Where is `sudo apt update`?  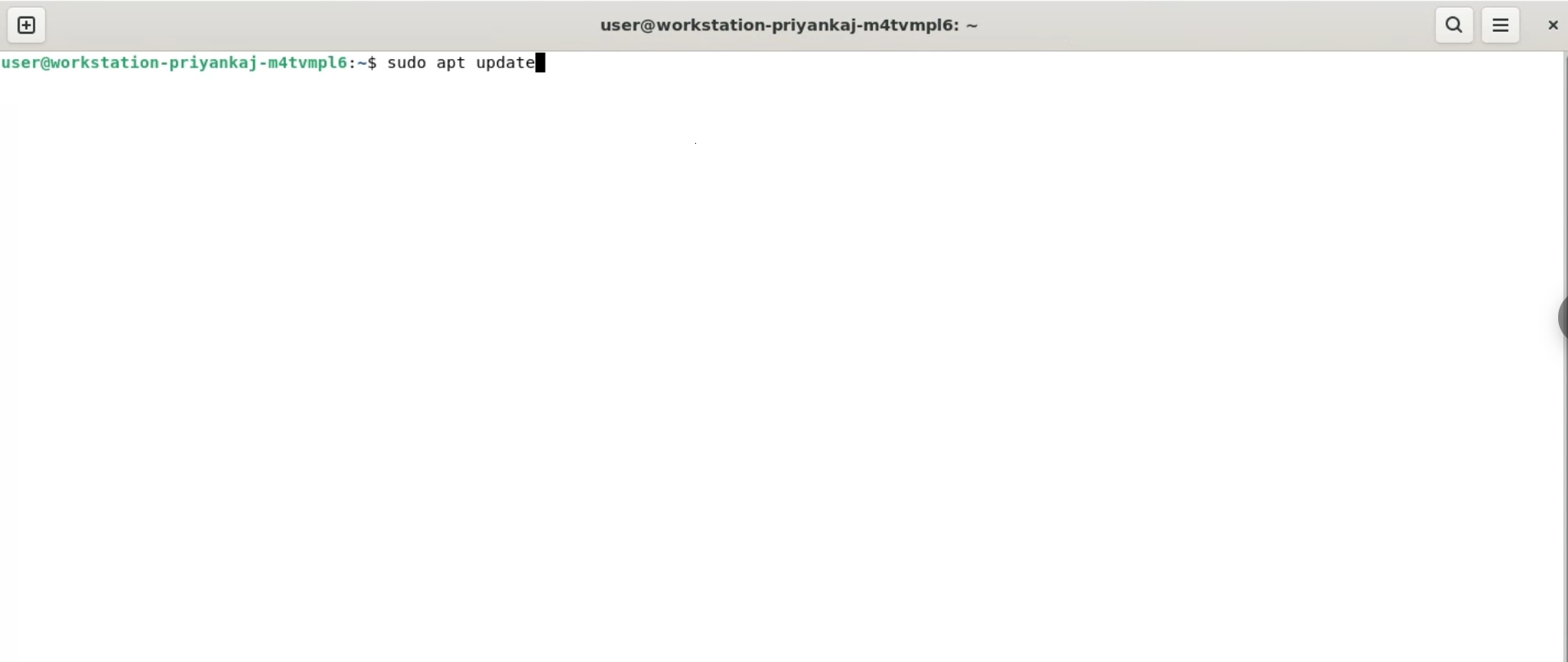 sudo apt update is located at coordinates (468, 63).